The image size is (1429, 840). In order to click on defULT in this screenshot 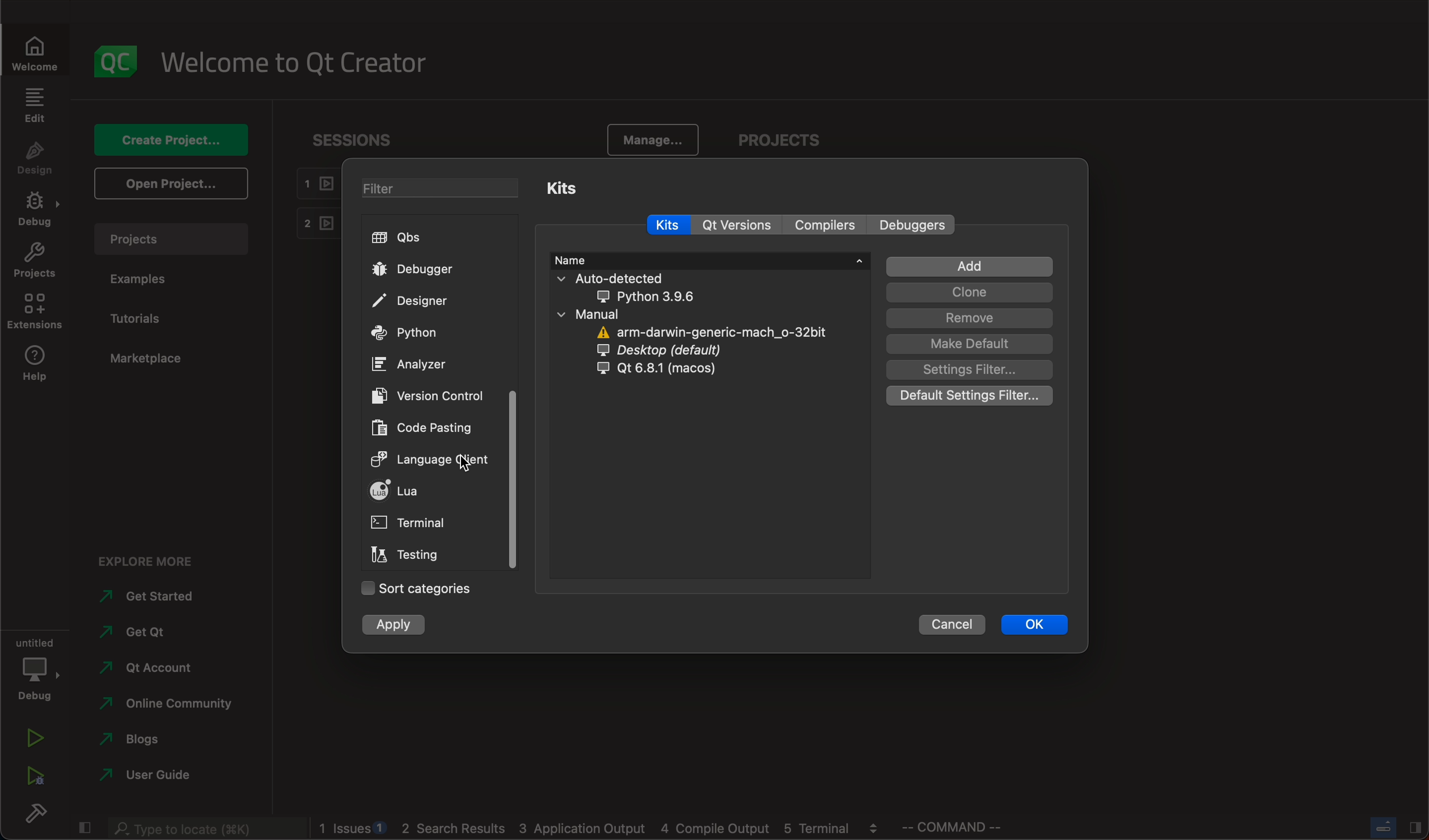, I will do `click(973, 397)`.